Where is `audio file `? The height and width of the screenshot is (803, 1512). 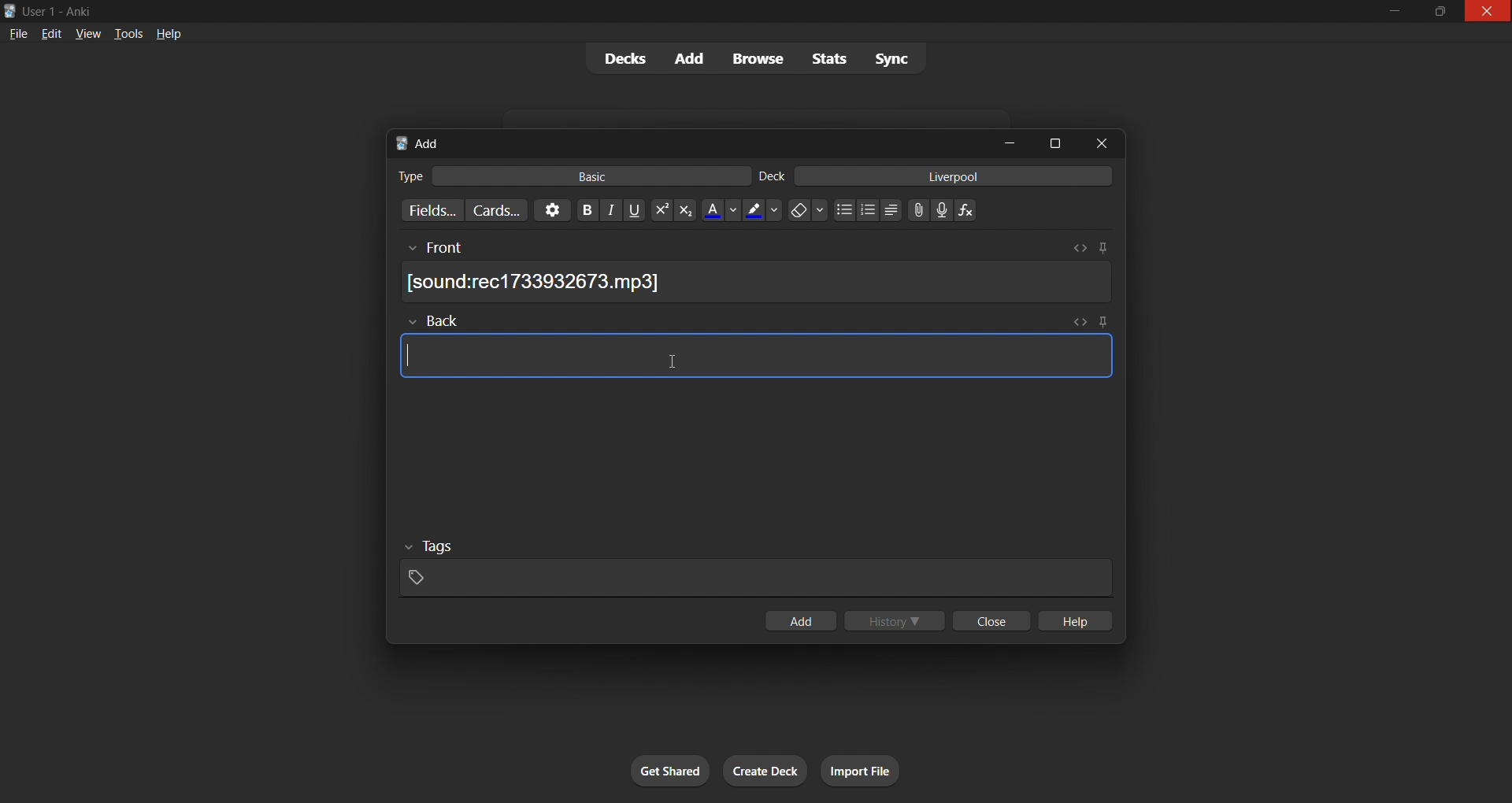 audio file  is located at coordinates (762, 282).